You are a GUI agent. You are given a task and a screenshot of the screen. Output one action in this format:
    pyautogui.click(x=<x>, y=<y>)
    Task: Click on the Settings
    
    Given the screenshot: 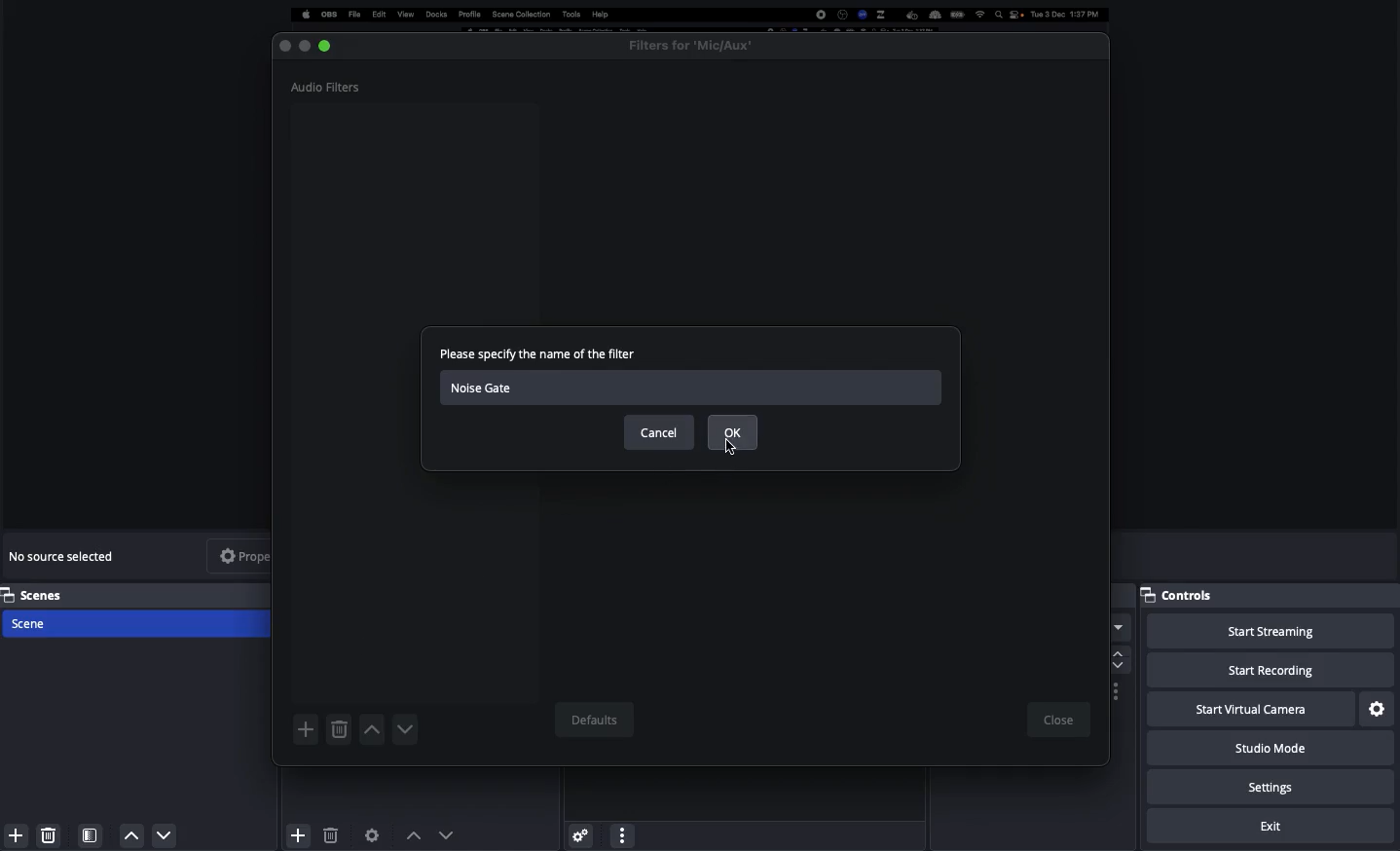 What is the action you would take?
    pyautogui.click(x=1378, y=708)
    